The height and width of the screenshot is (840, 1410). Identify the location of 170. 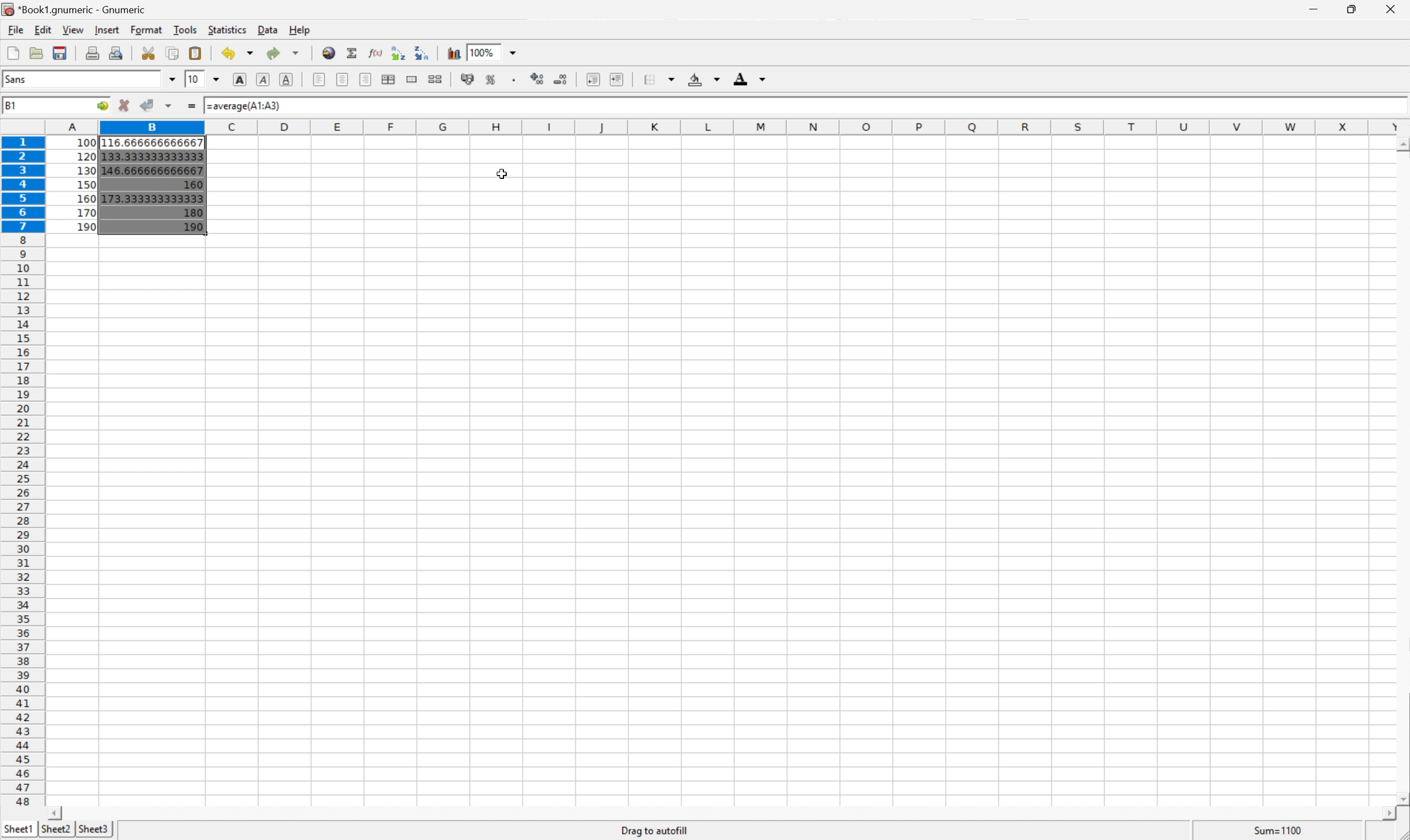
(87, 212).